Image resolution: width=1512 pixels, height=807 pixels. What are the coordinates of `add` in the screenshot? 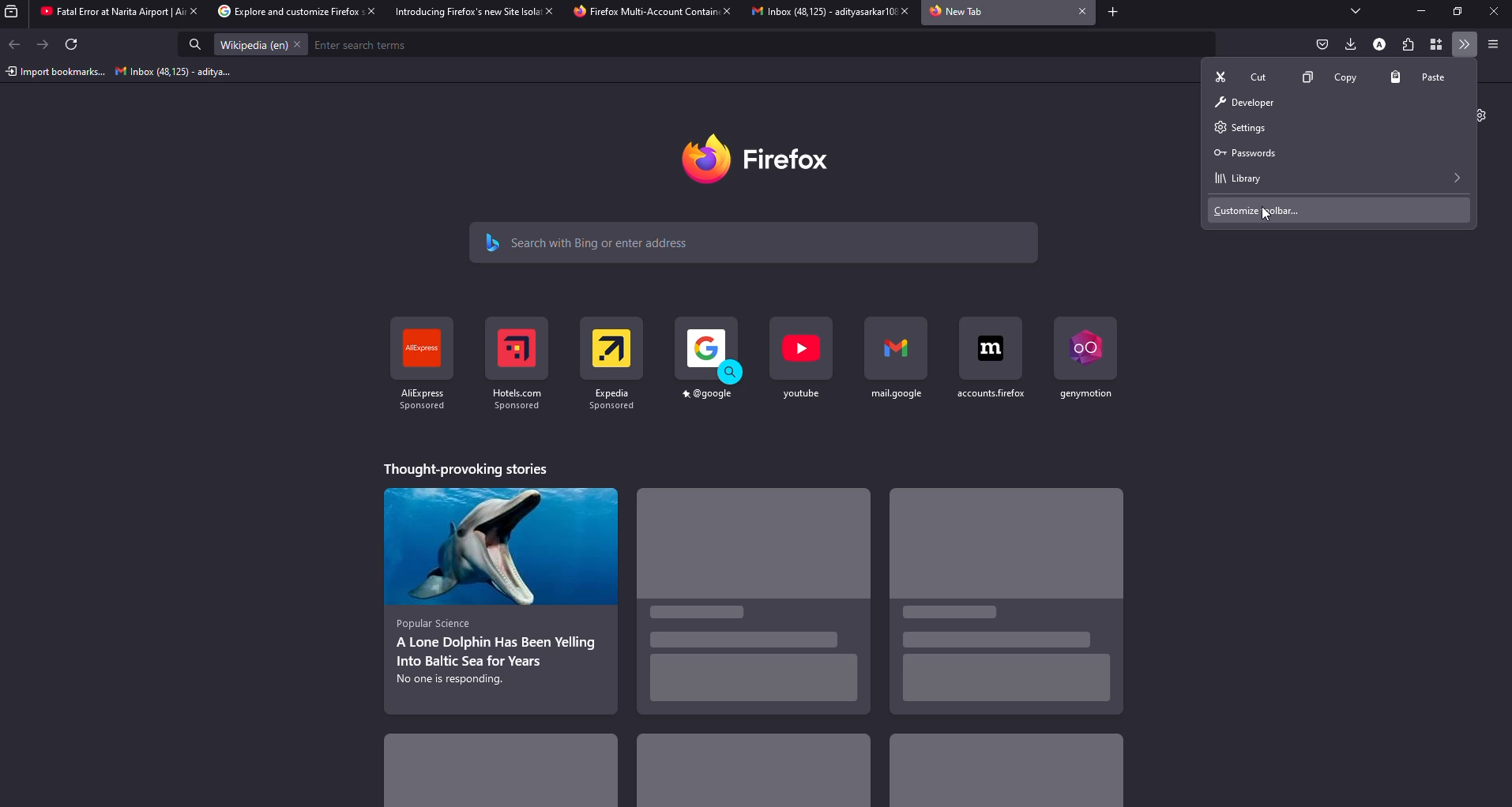 It's located at (1111, 13).